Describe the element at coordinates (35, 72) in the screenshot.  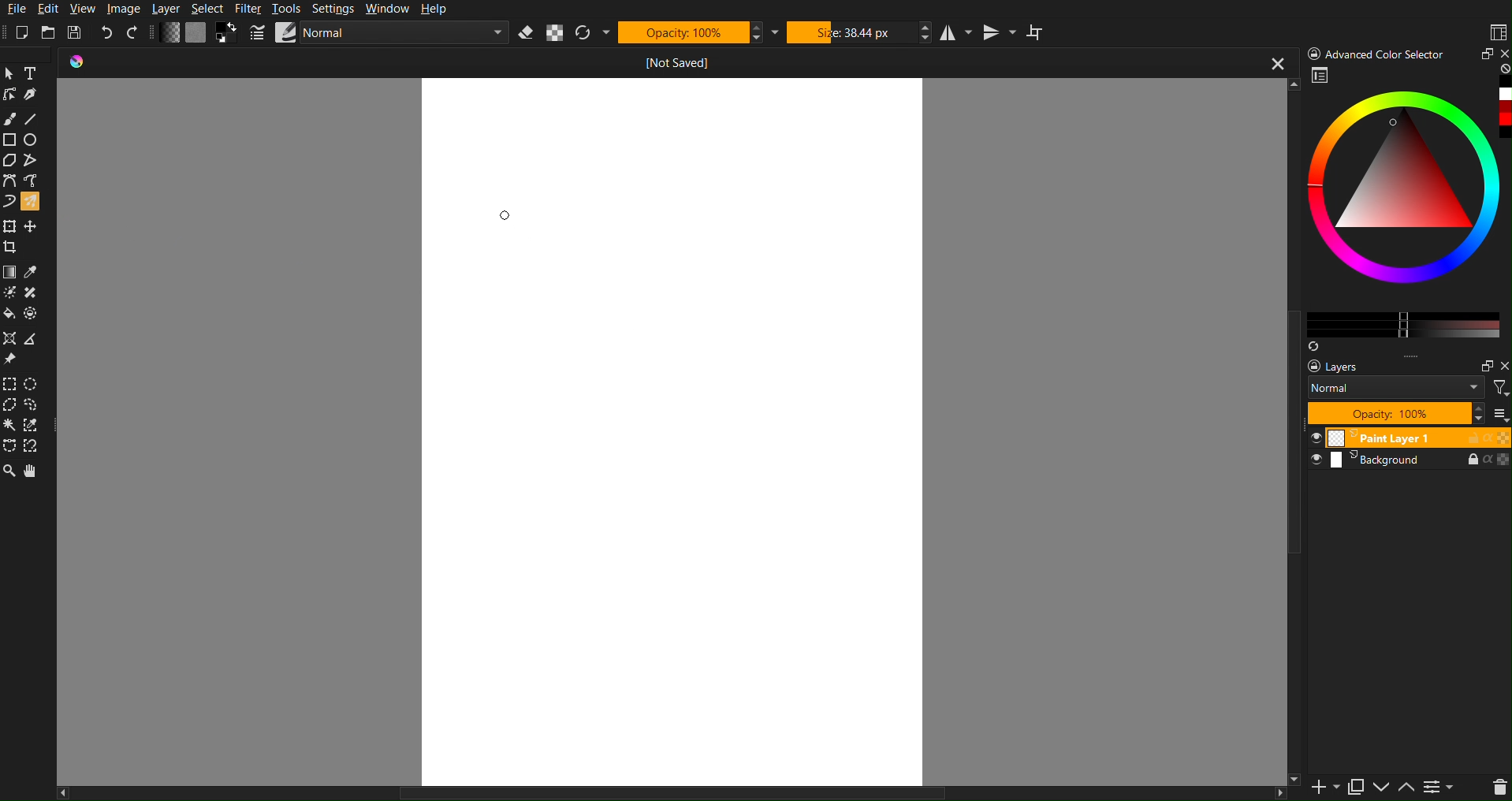
I see `Text` at that location.